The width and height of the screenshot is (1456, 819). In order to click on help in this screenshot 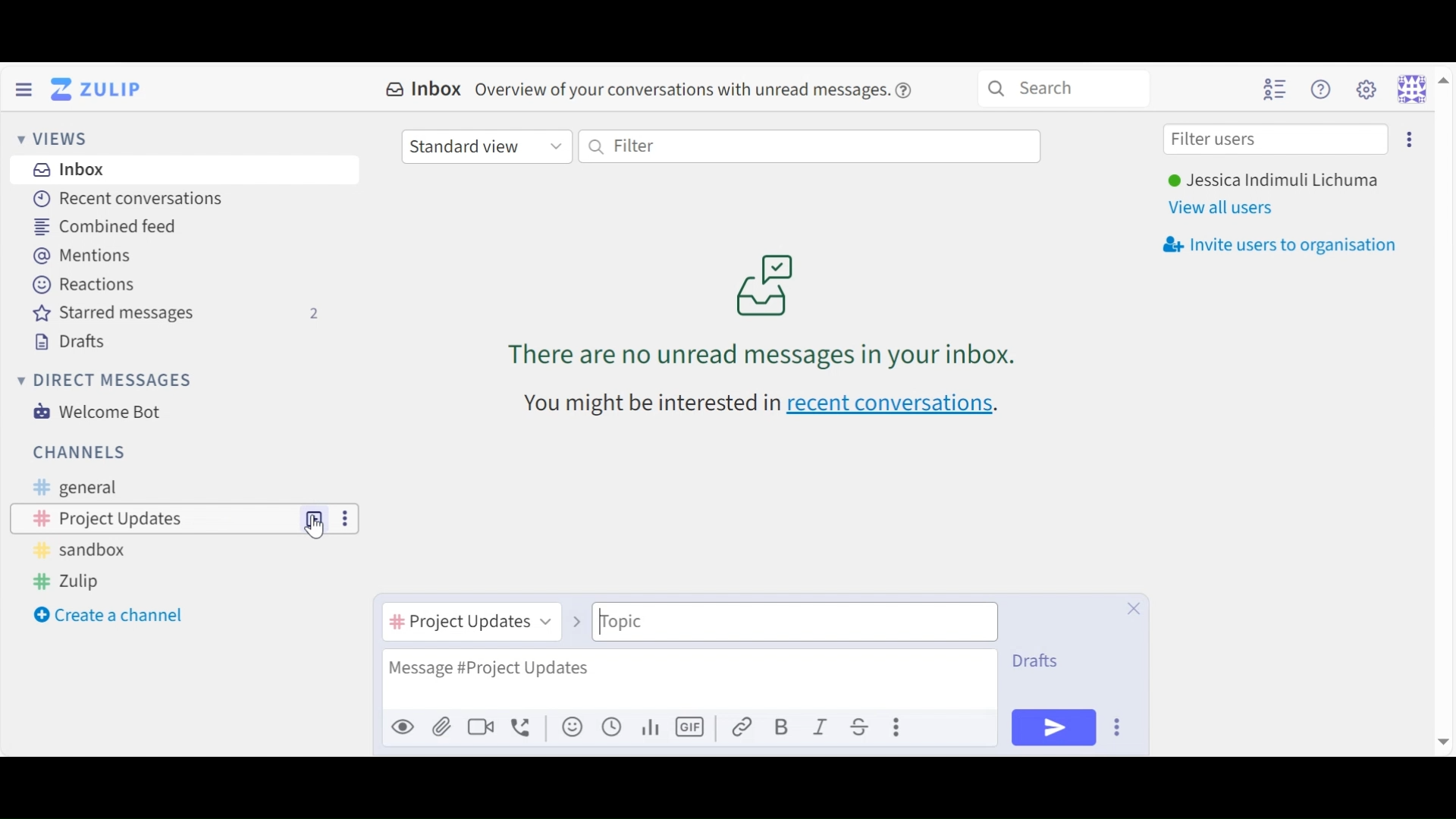, I will do `click(908, 90)`.